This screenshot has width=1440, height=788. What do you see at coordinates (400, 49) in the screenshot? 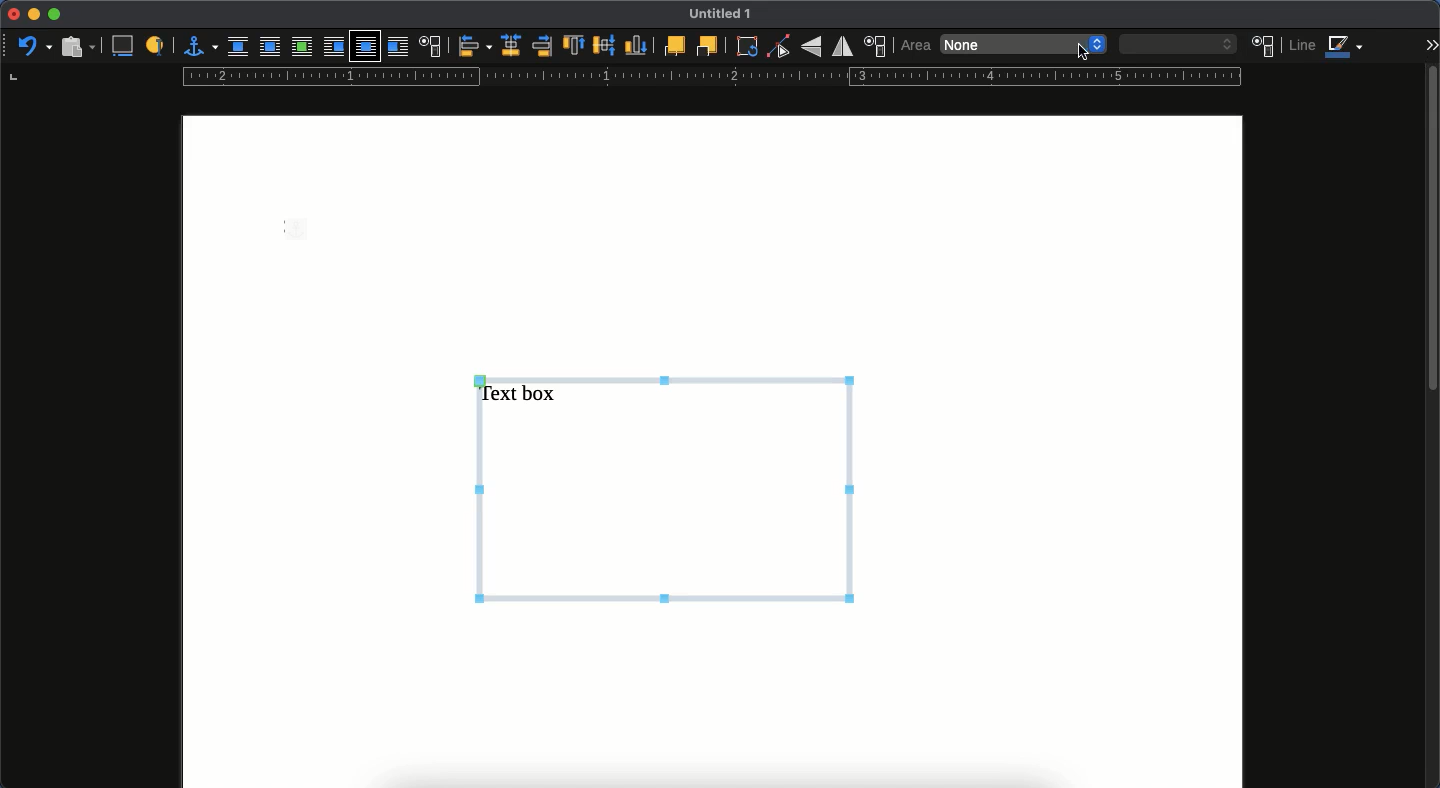
I see `after` at bounding box center [400, 49].